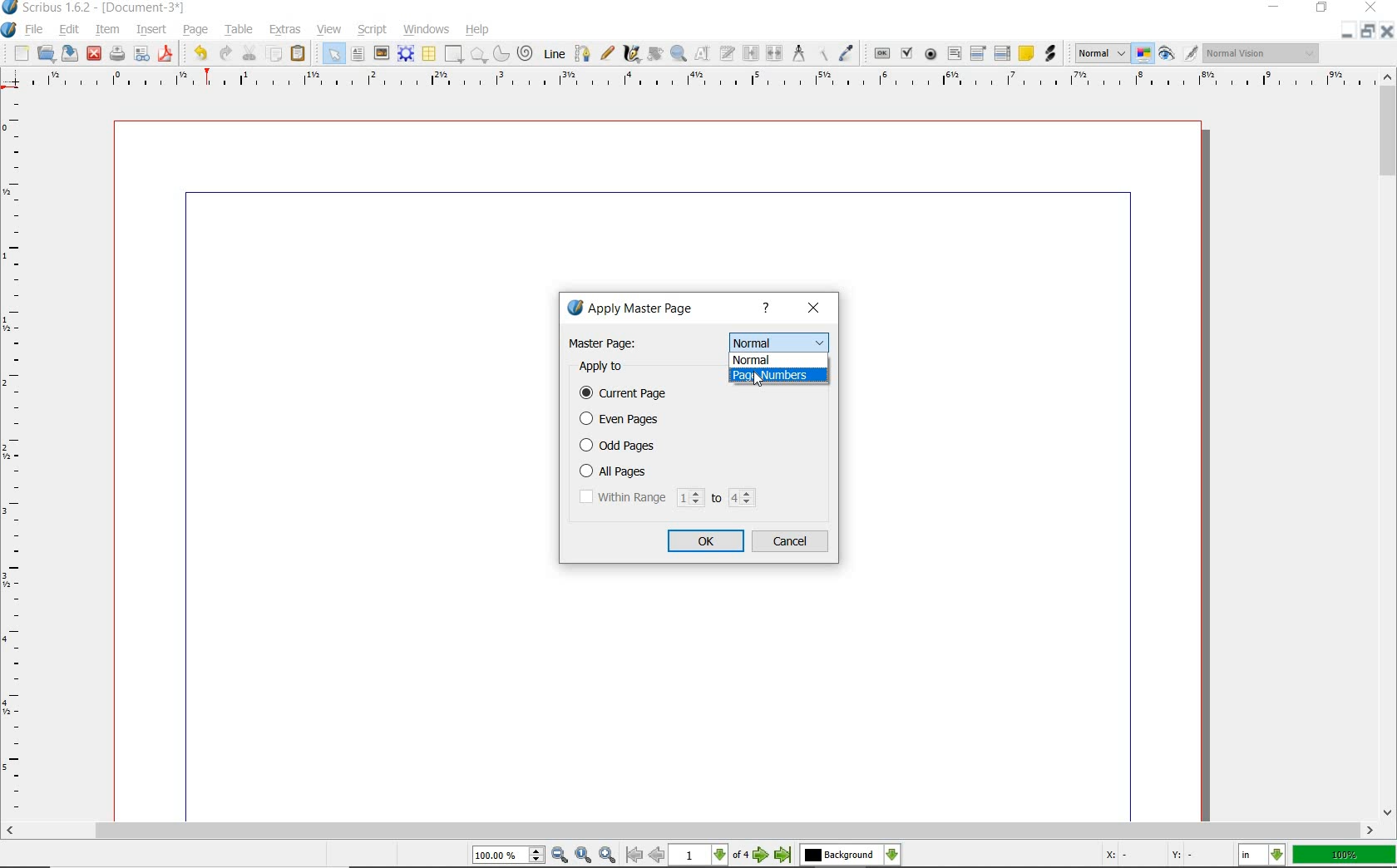 Image resolution: width=1397 pixels, height=868 pixels. Describe the element at coordinates (165, 55) in the screenshot. I see `save as pdf` at that location.